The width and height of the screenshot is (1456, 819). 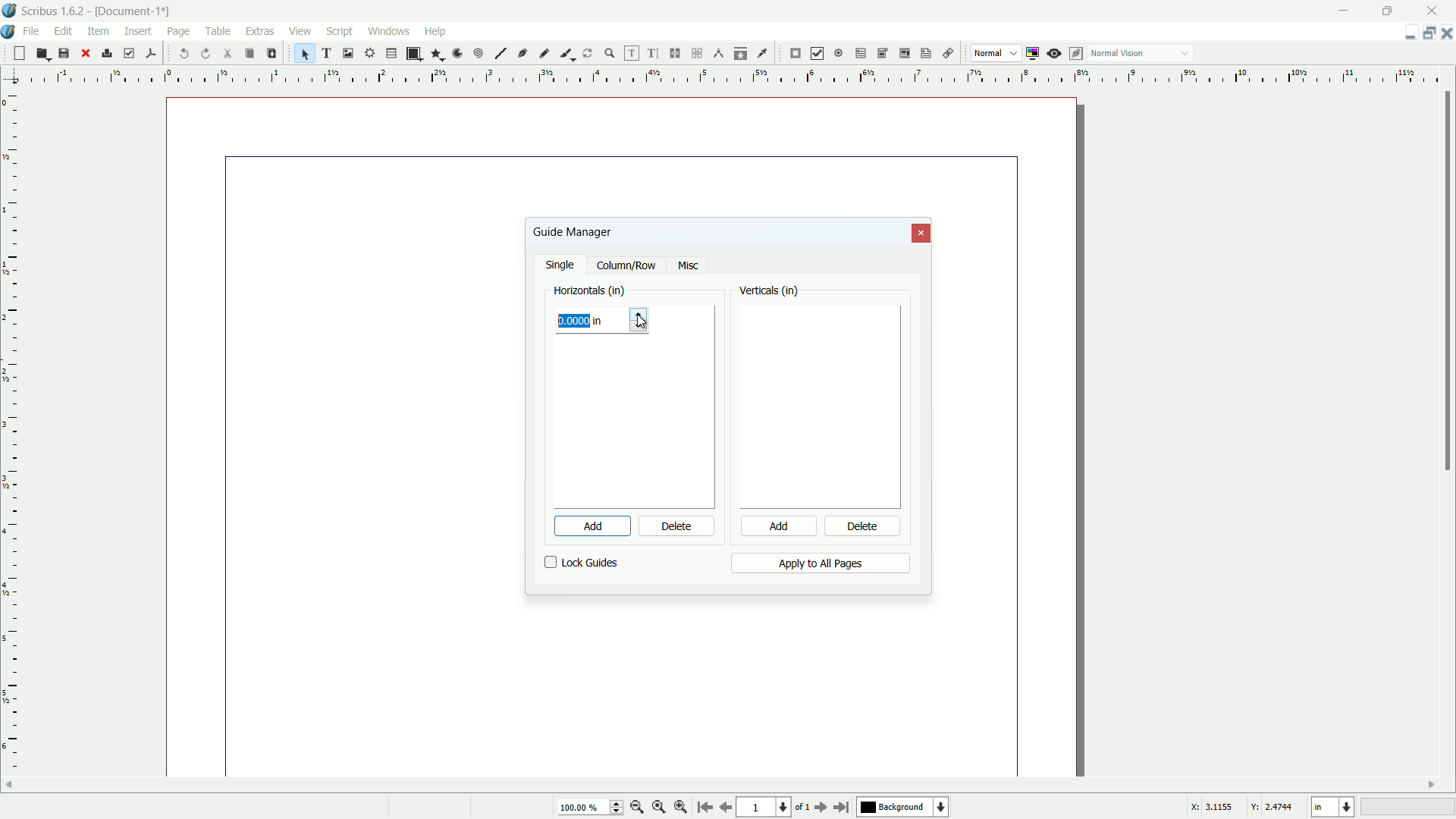 What do you see at coordinates (1034, 53) in the screenshot?
I see `toggle color management system` at bounding box center [1034, 53].